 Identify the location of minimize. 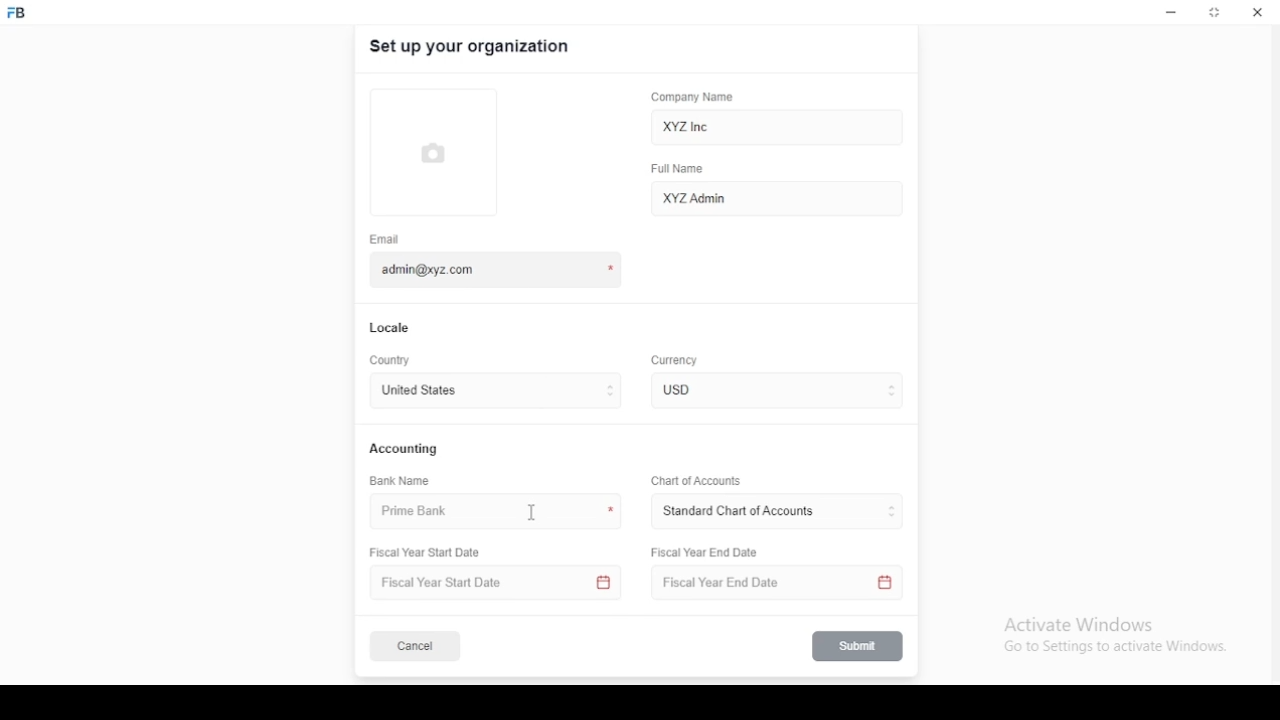
(1171, 13).